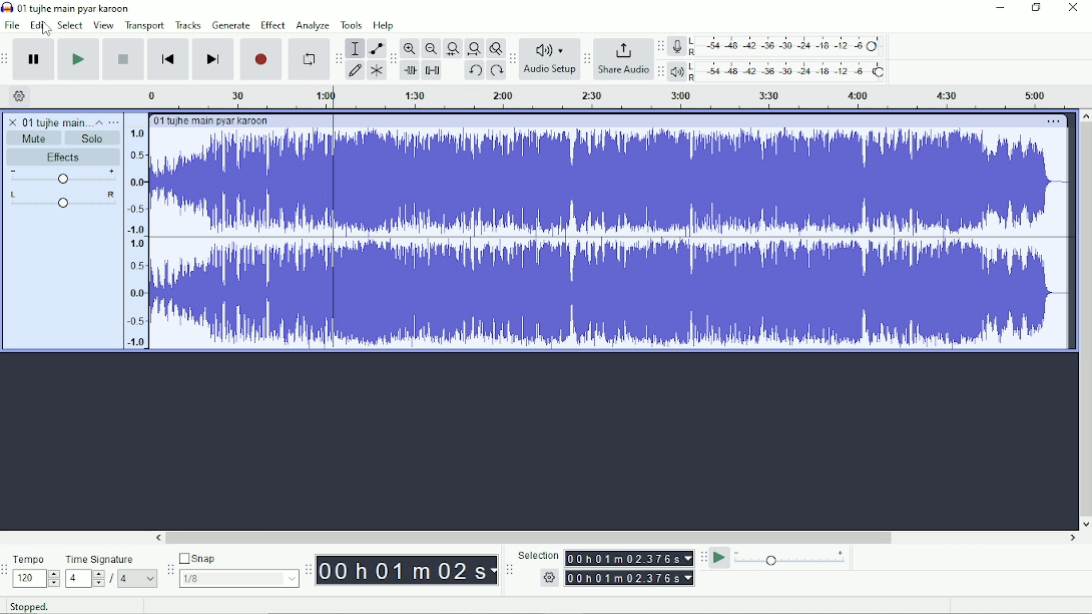  I want to click on Fit project to width, so click(473, 48).